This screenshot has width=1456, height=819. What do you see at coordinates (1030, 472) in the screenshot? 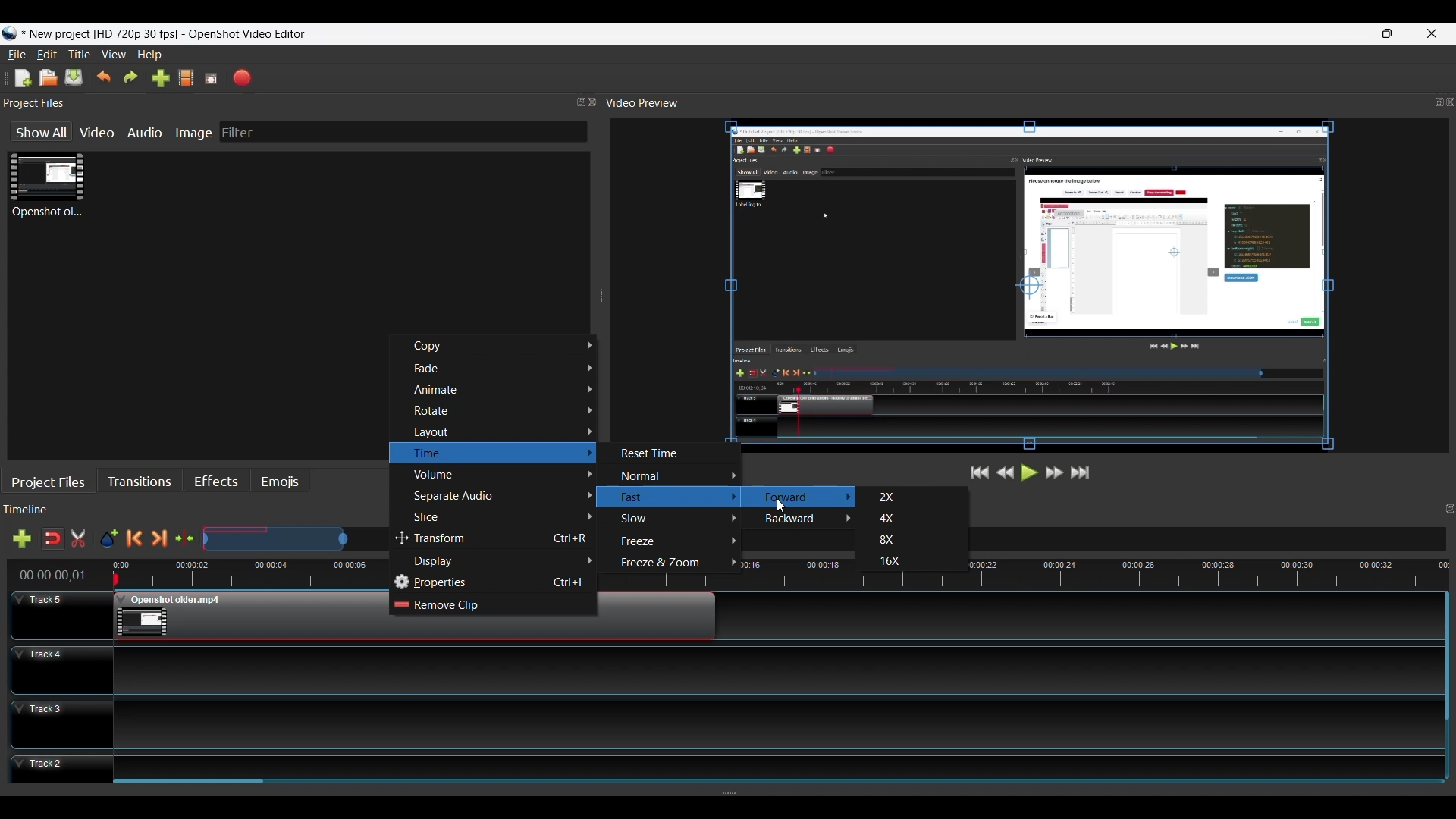
I see `Play` at bounding box center [1030, 472].